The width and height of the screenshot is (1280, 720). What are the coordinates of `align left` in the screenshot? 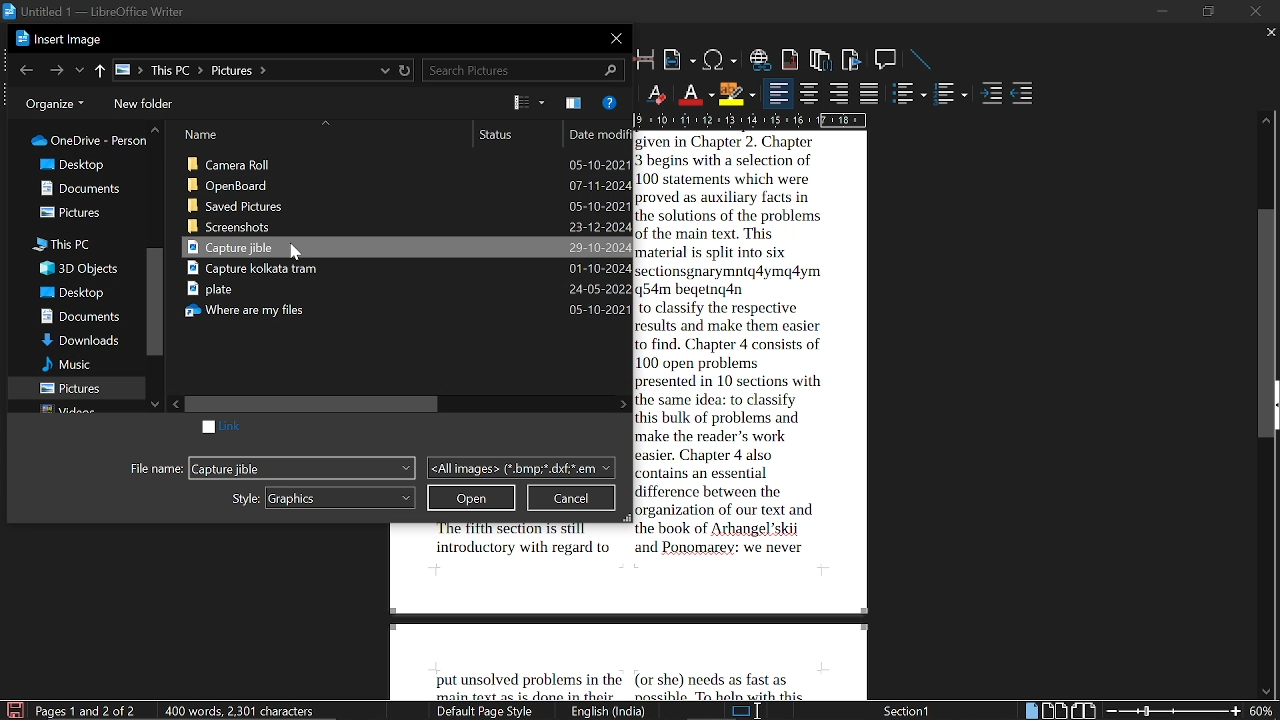 It's located at (777, 93).